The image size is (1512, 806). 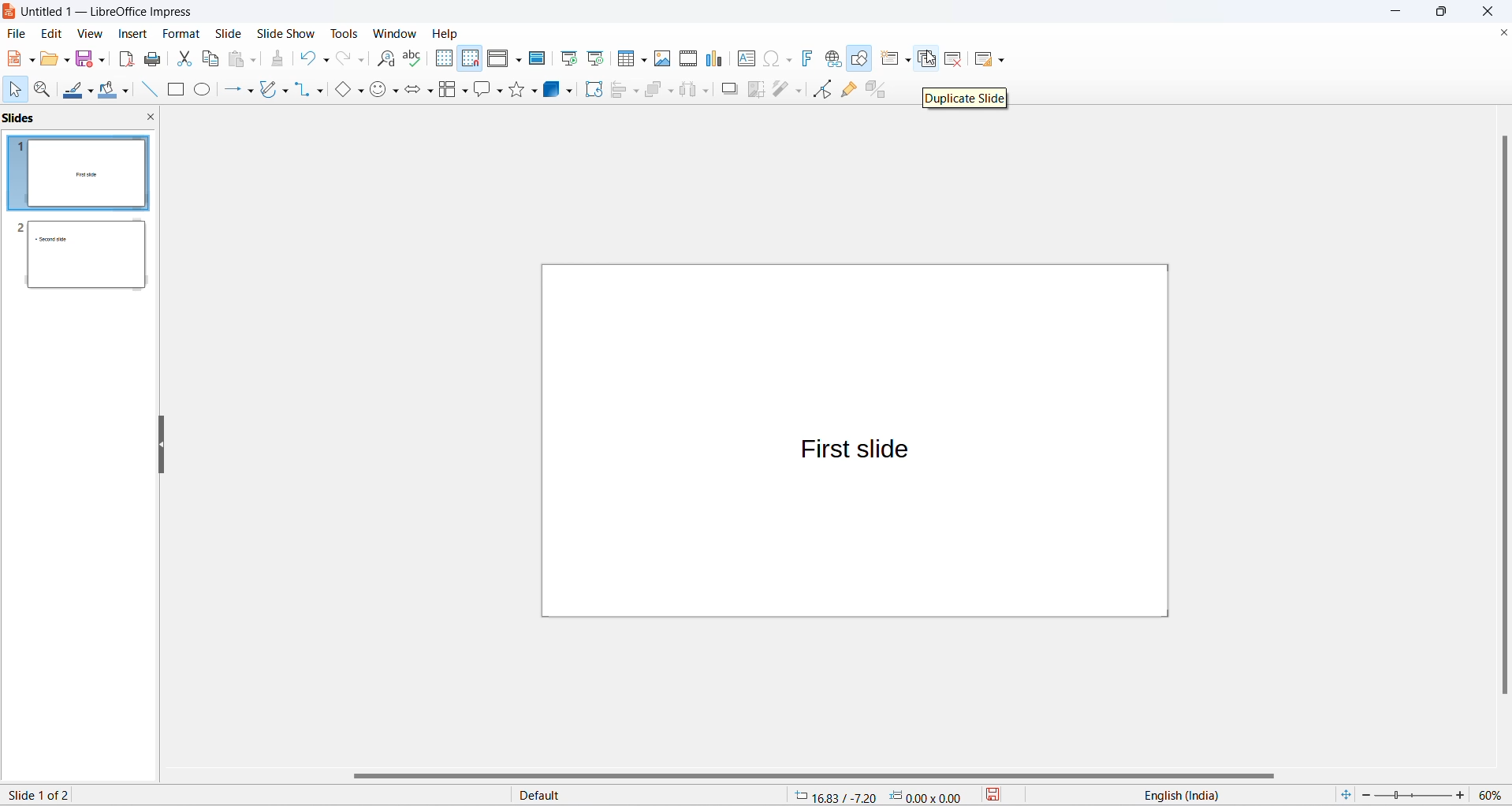 What do you see at coordinates (253, 91) in the screenshot?
I see `line options` at bounding box center [253, 91].